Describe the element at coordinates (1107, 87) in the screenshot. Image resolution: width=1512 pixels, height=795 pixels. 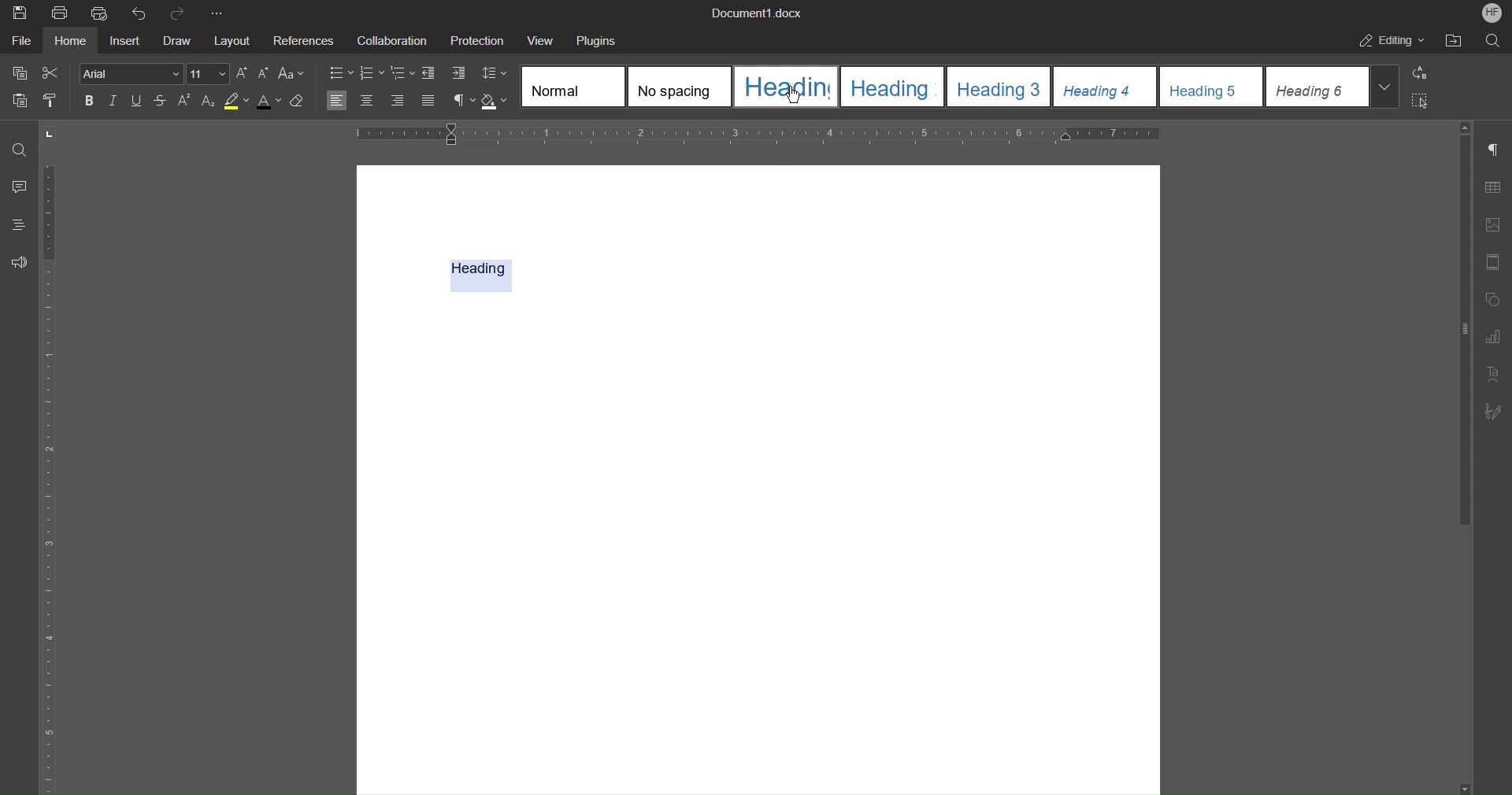
I see `Heading 4` at that location.